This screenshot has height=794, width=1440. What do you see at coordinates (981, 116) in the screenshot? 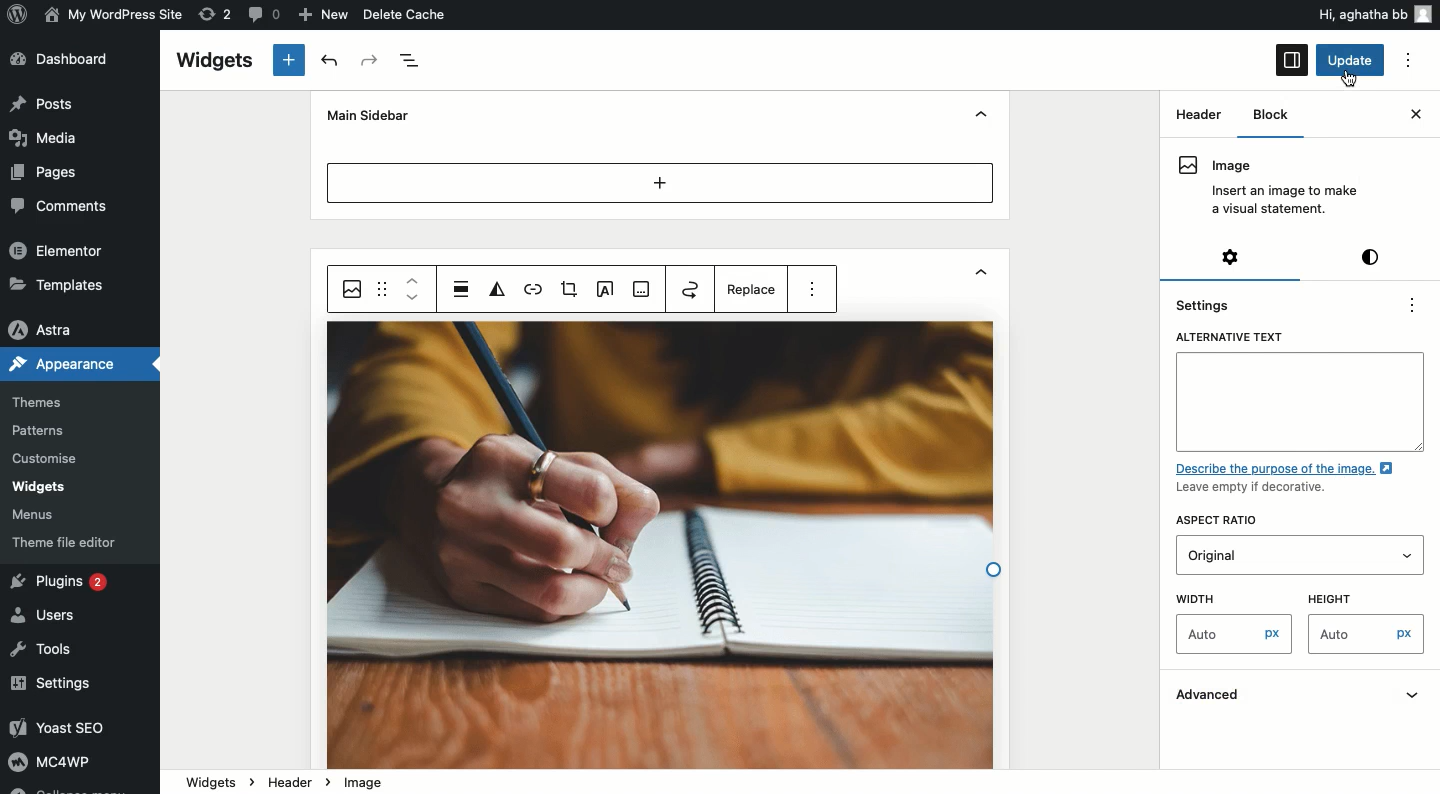
I see `Hide` at bounding box center [981, 116].